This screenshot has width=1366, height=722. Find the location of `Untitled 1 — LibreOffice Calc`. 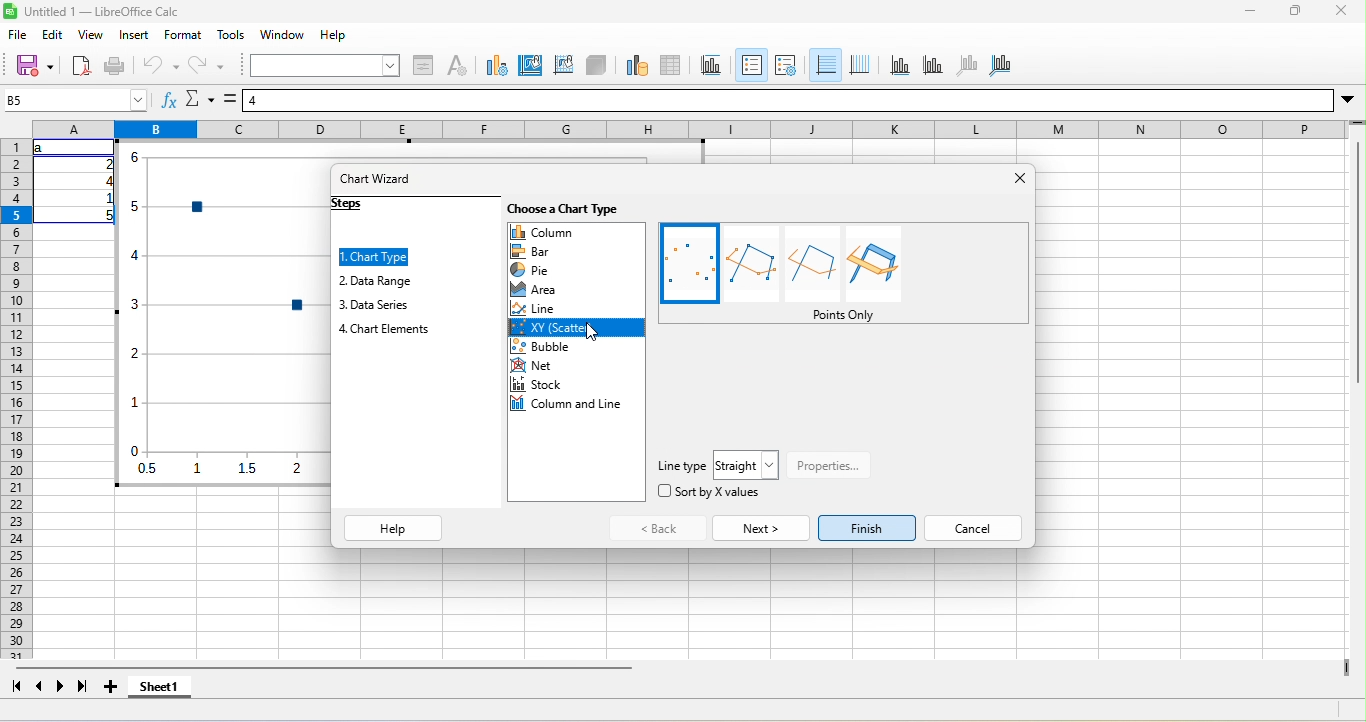

Untitled 1 — LibreOffice Calc is located at coordinates (102, 11).